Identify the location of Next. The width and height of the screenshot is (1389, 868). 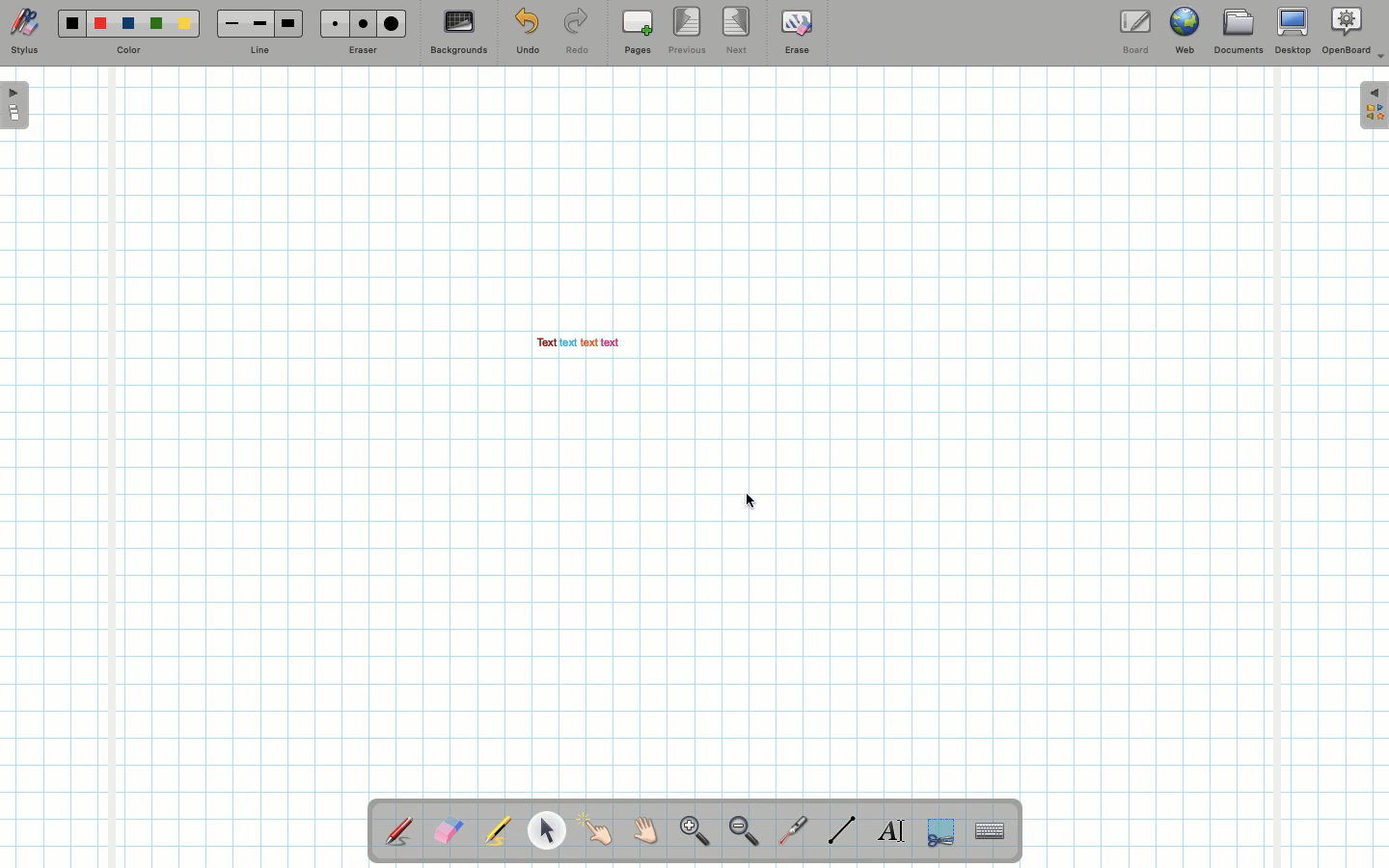
(738, 29).